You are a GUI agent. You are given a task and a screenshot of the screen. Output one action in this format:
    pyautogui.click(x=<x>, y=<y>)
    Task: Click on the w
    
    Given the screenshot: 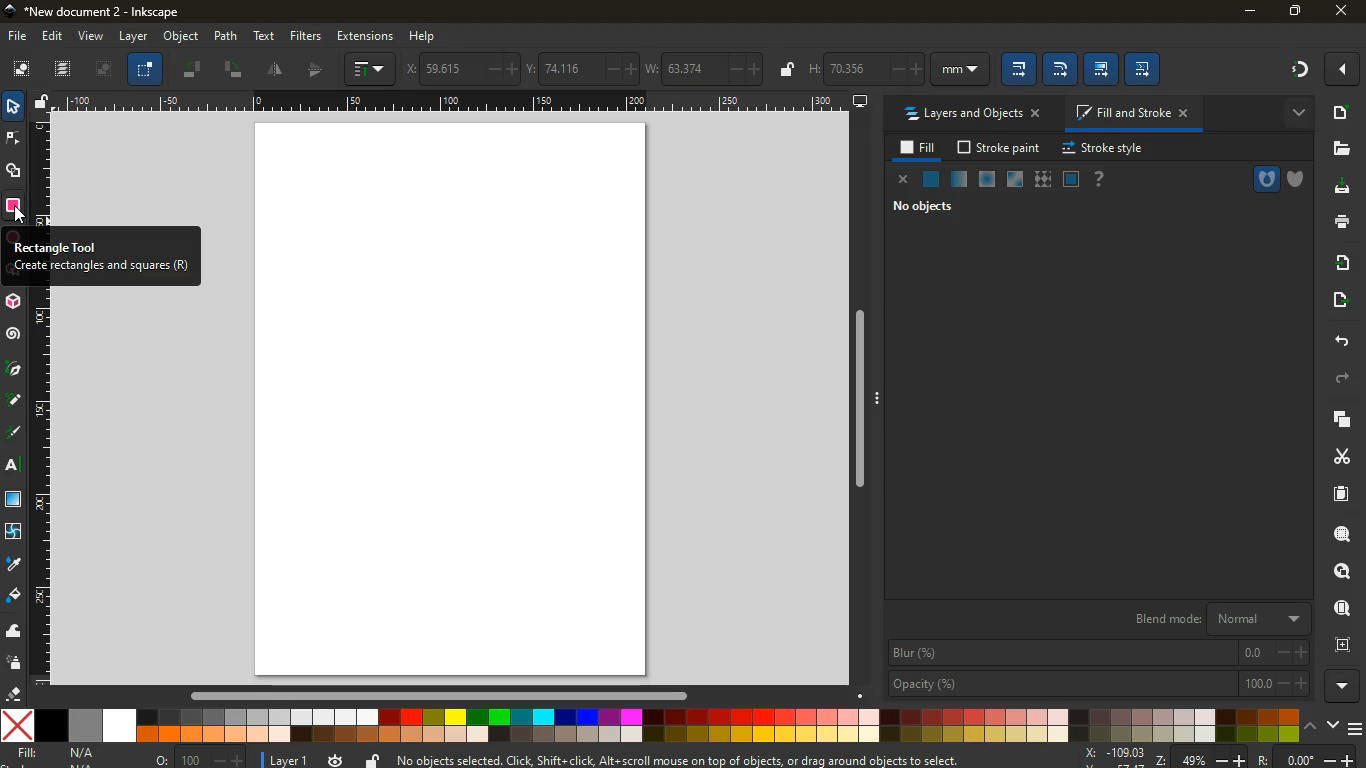 What is the action you would take?
    pyautogui.click(x=707, y=67)
    